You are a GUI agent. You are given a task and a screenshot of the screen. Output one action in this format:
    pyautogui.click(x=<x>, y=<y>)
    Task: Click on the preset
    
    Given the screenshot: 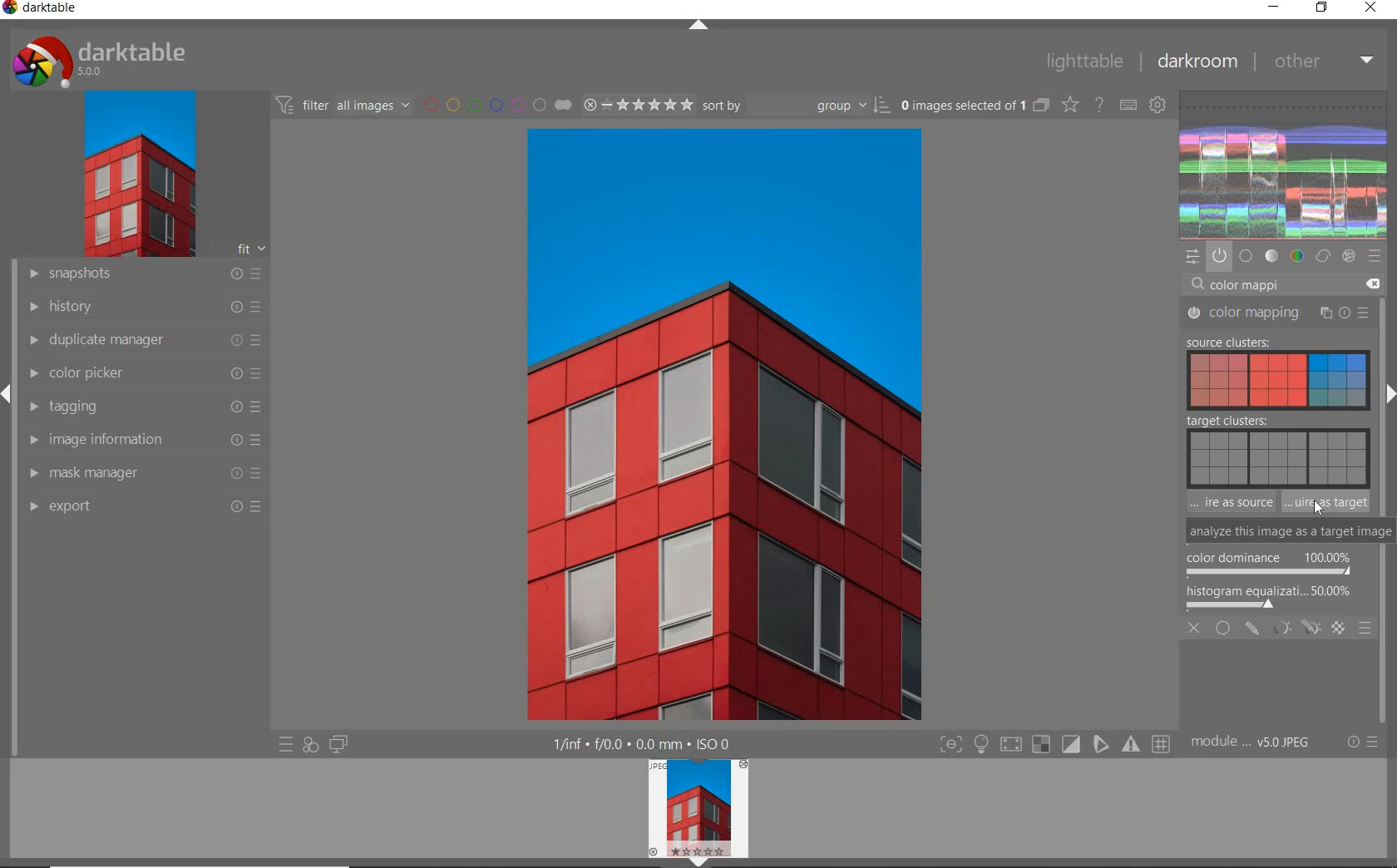 What is the action you would take?
    pyautogui.click(x=1375, y=257)
    